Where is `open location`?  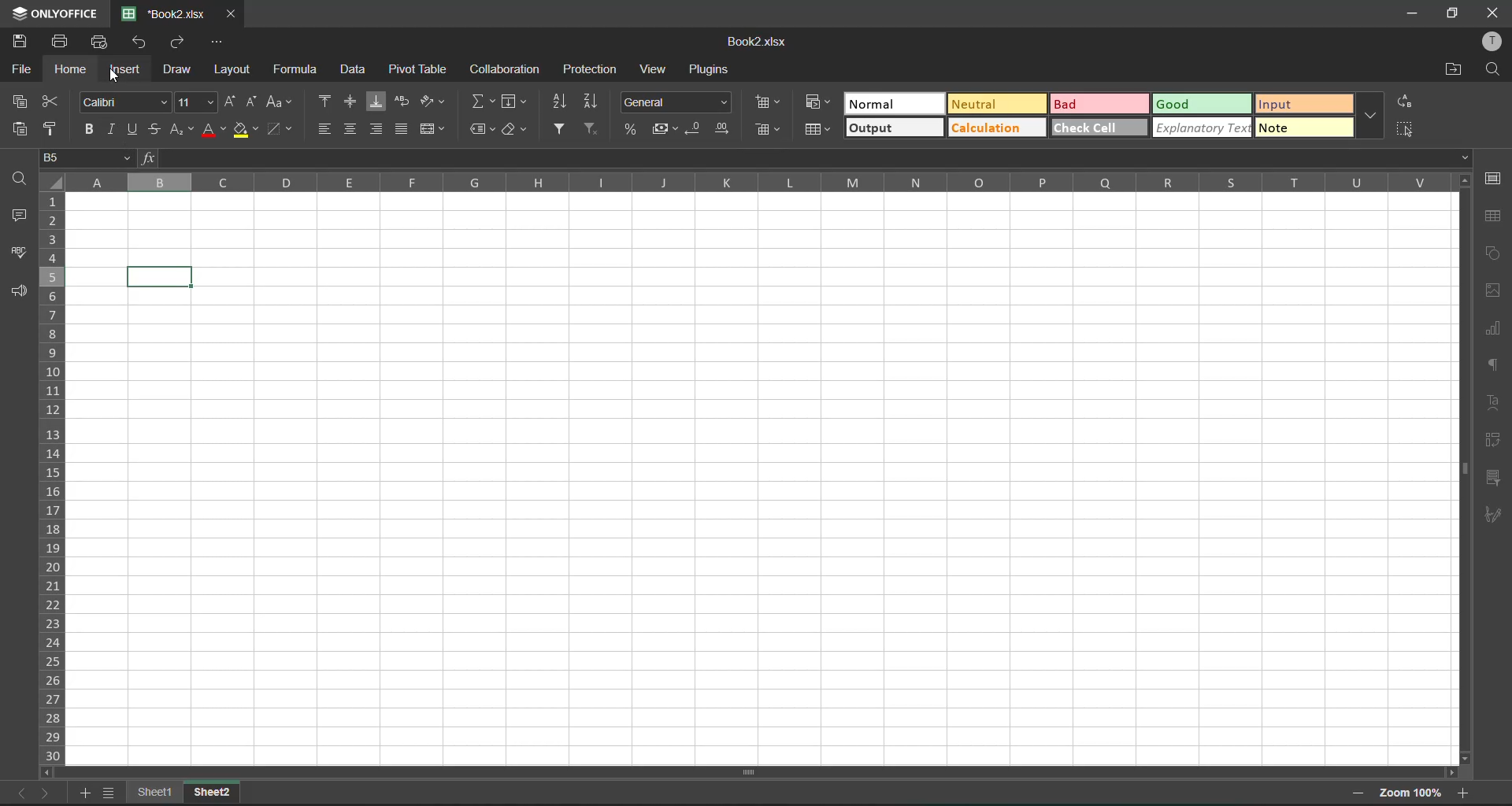
open location is located at coordinates (1447, 71).